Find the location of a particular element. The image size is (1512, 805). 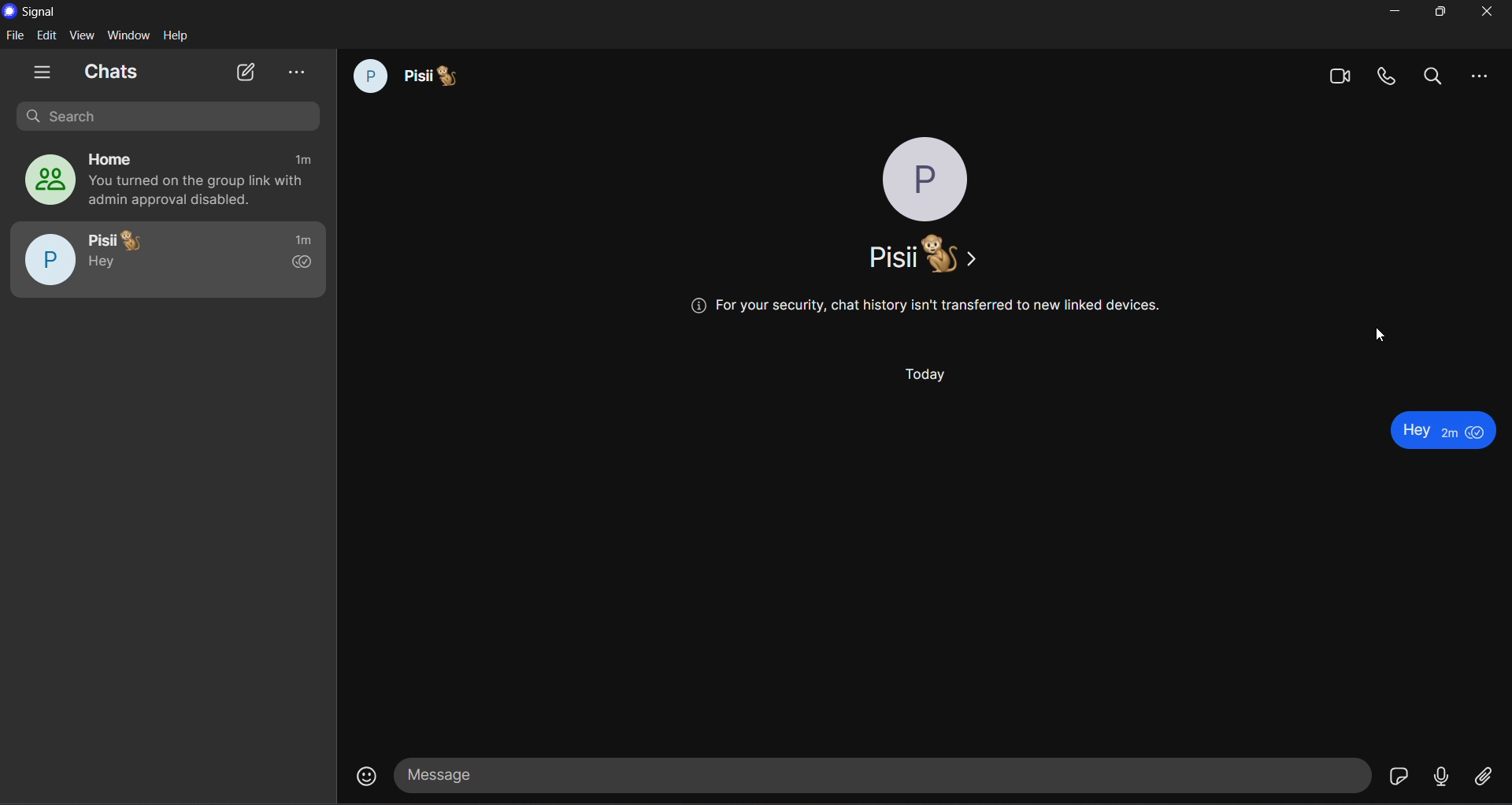

view is located at coordinates (83, 35).